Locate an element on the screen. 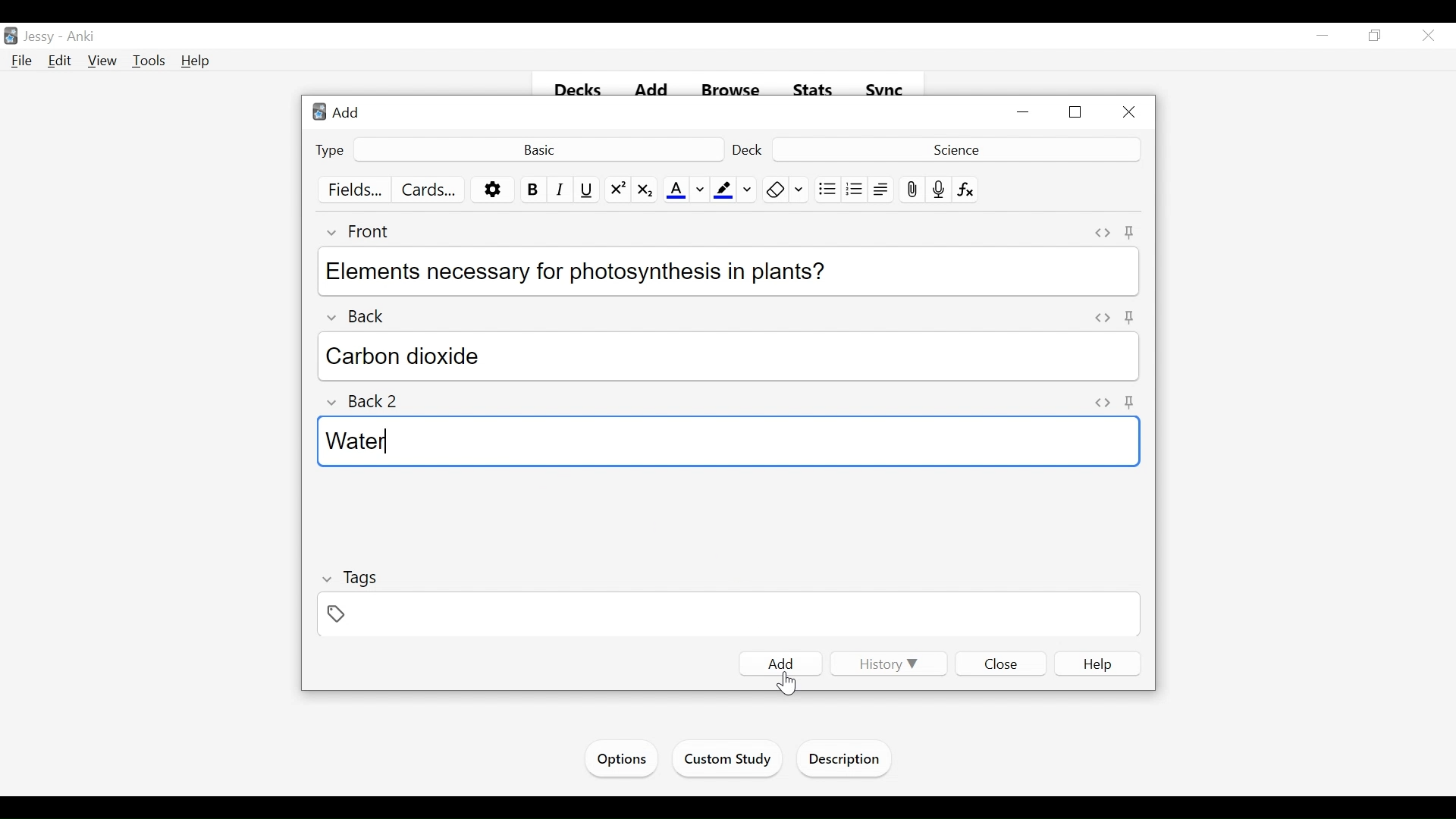 This screenshot has height=819, width=1456. Options is located at coordinates (620, 759).